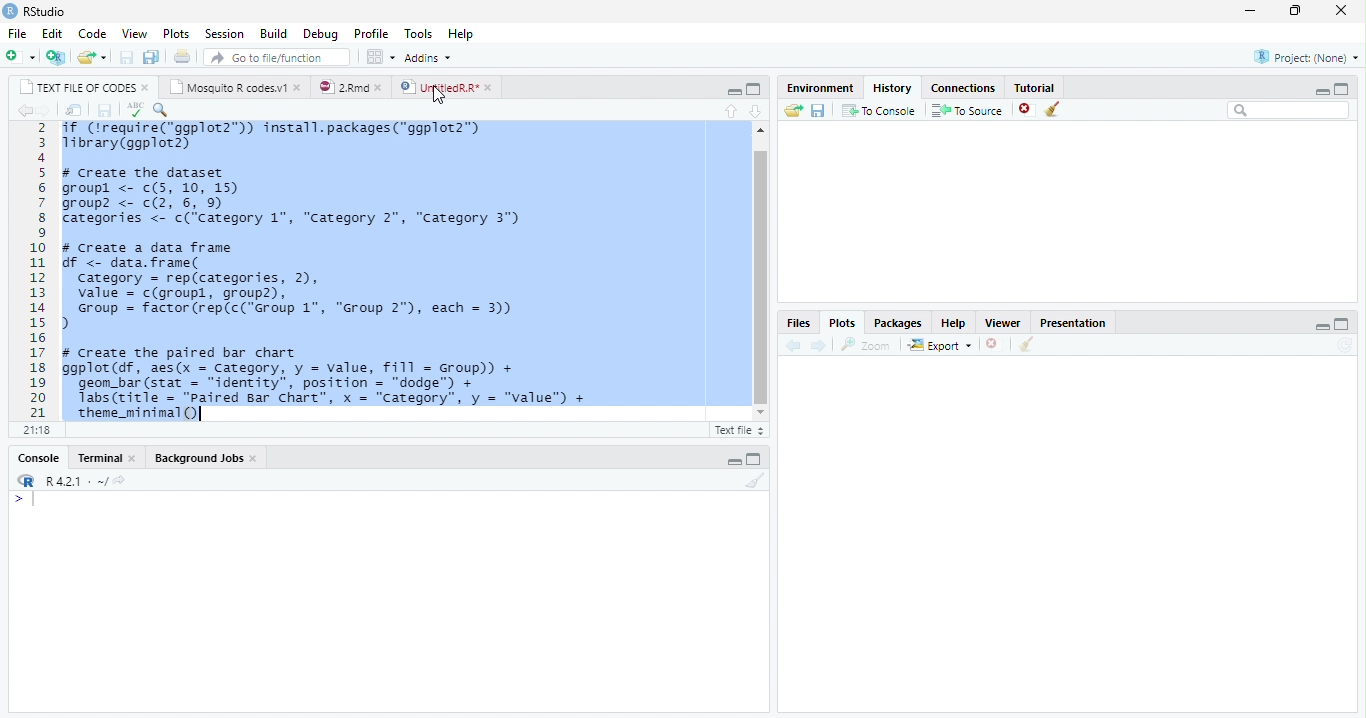 The height and width of the screenshot is (718, 1366). What do you see at coordinates (105, 110) in the screenshot?
I see `save current document` at bounding box center [105, 110].